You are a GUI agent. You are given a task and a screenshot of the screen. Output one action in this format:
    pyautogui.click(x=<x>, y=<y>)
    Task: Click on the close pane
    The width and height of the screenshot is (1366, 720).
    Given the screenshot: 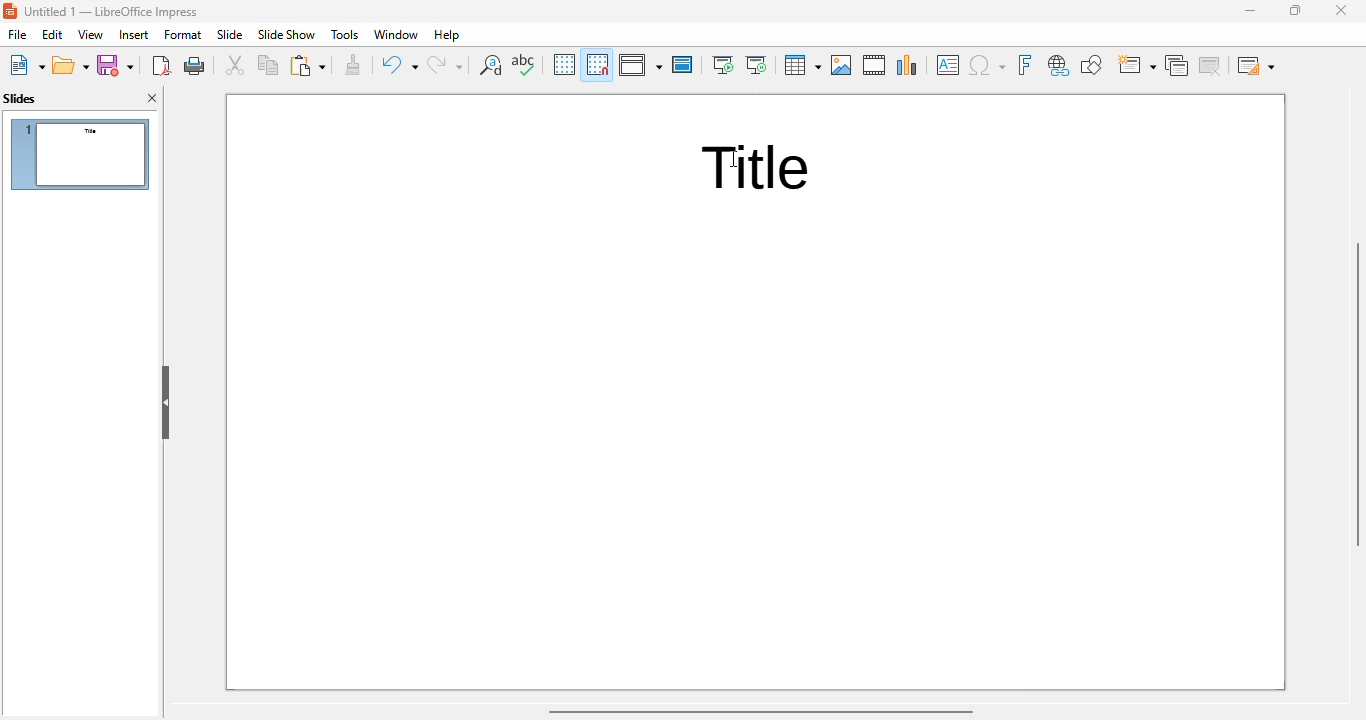 What is the action you would take?
    pyautogui.click(x=153, y=98)
    